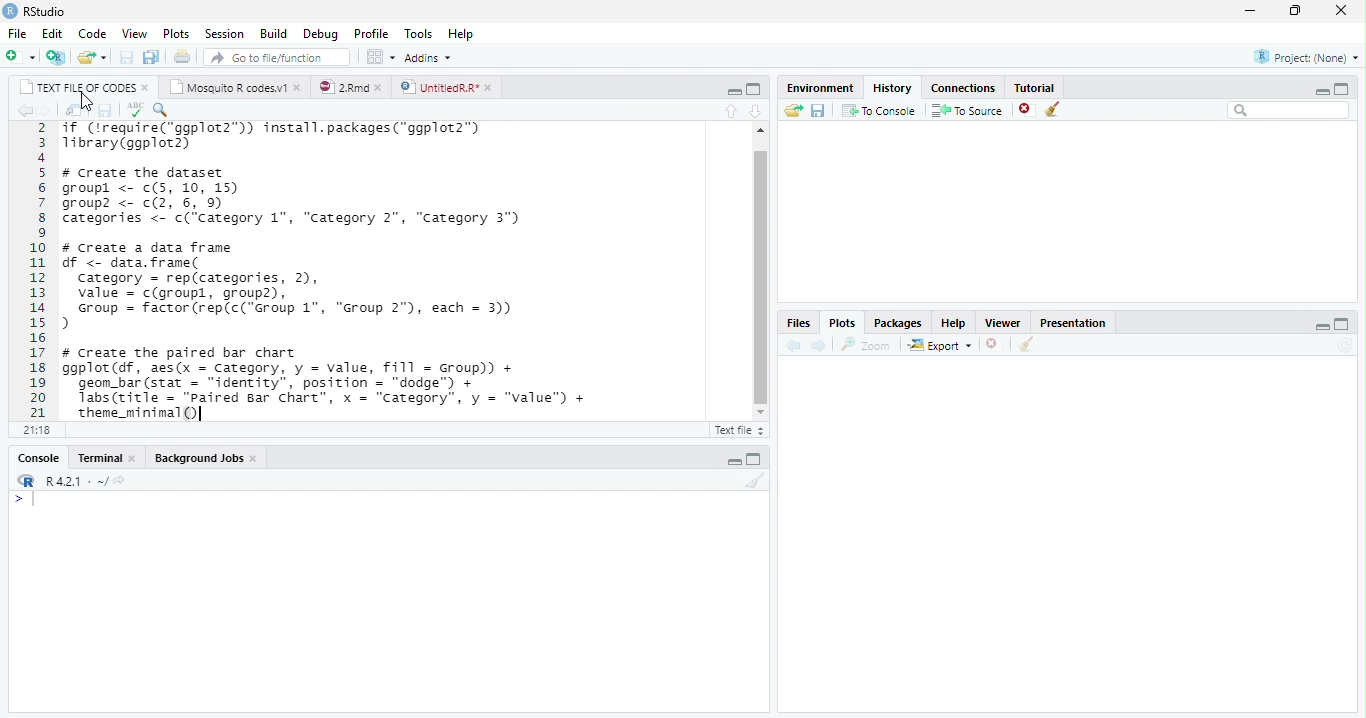 The width and height of the screenshot is (1366, 718). Describe the element at coordinates (730, 112) in the screenshot. I see `go to previous section` at that location.